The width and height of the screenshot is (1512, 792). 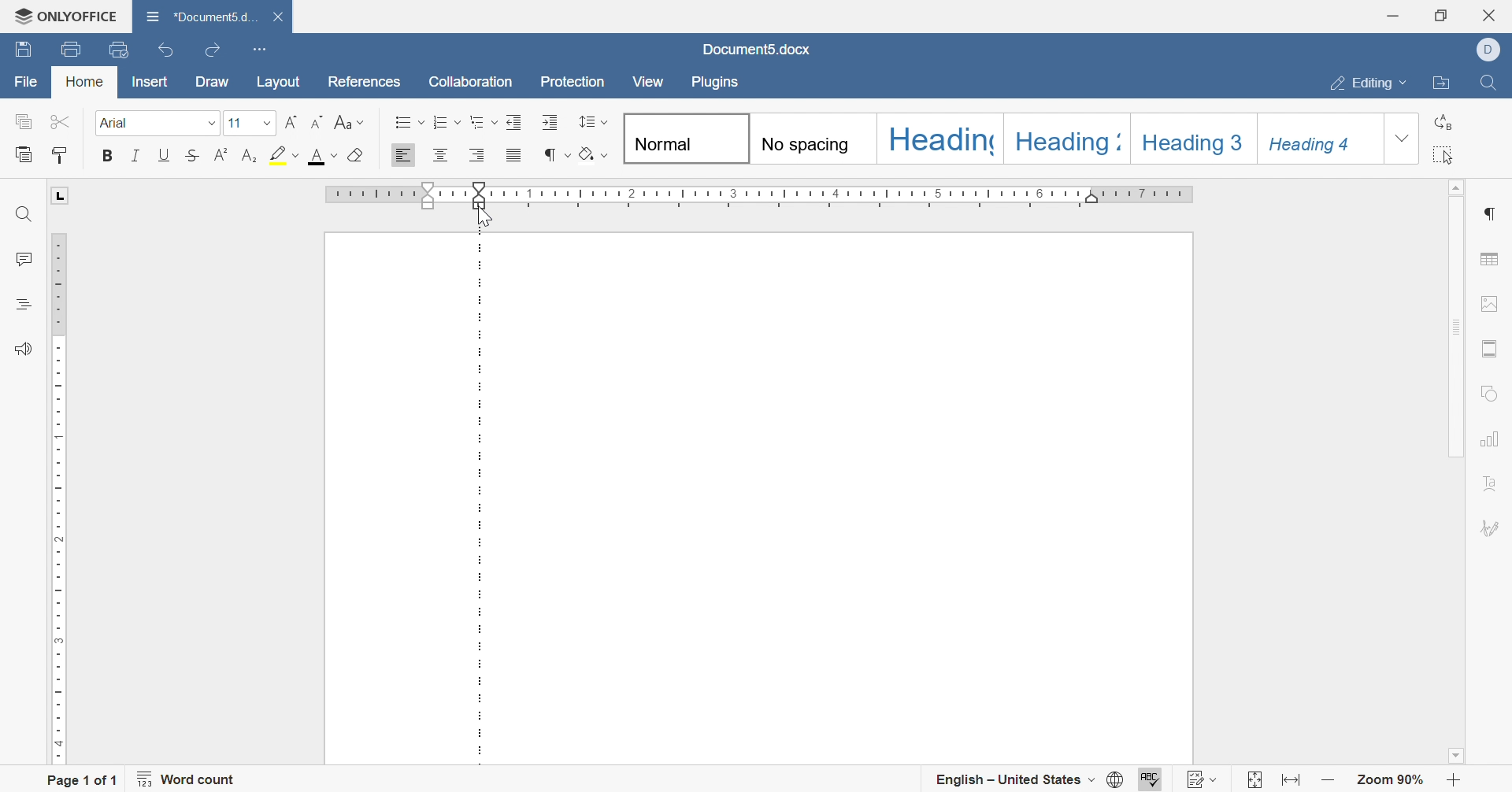 I want to click on document5.docx, so click(x=759, y=50).